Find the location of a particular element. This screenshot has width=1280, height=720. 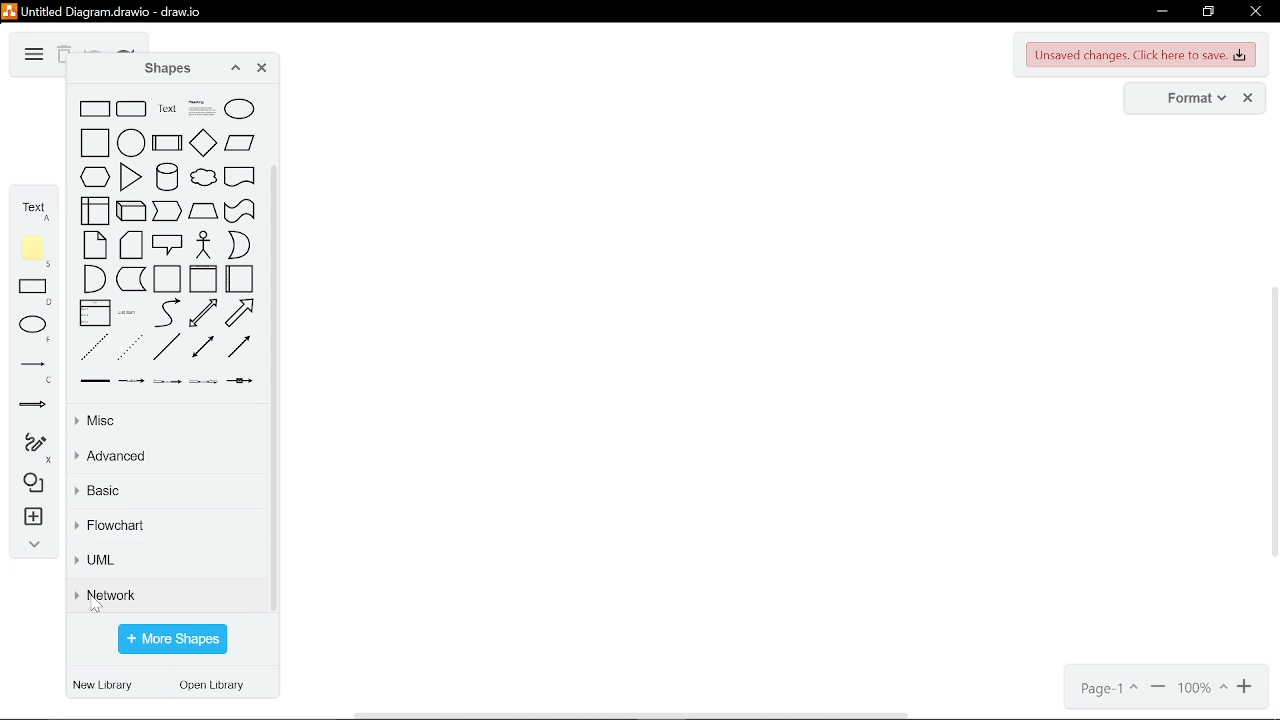

close is located at coordinates (262, 70).